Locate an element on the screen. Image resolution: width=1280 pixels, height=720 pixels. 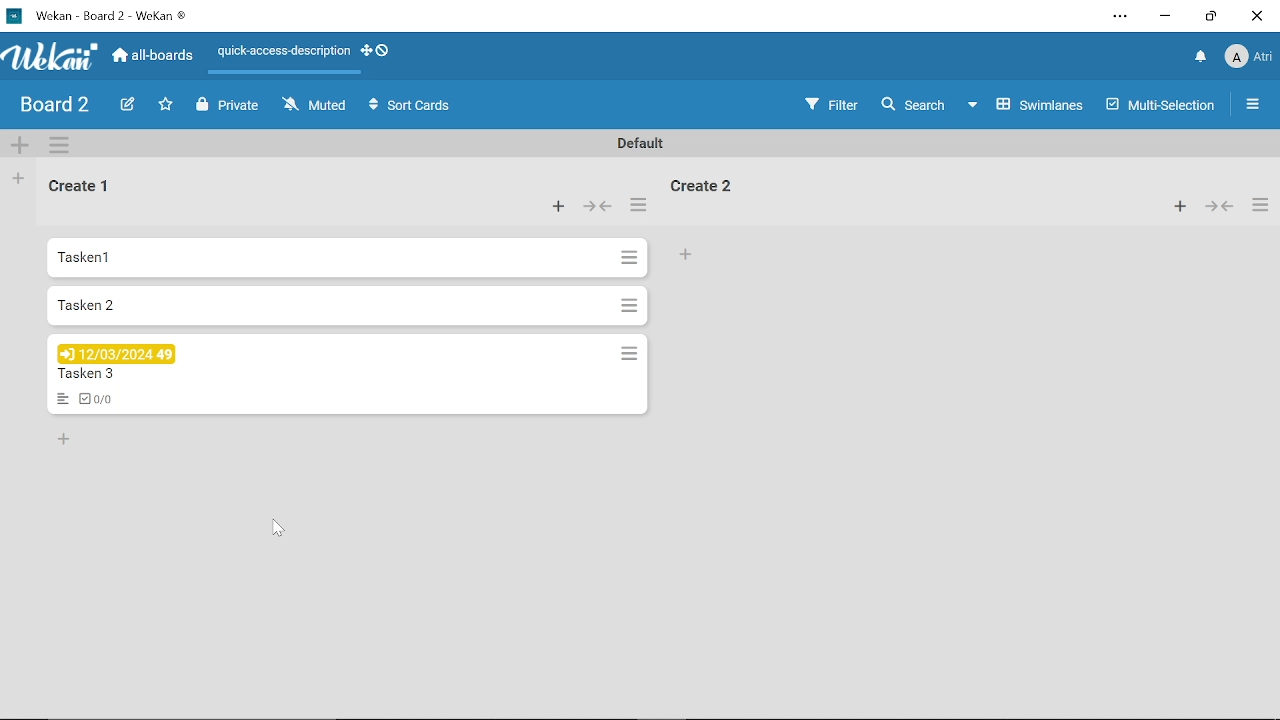
More is located at coordinates (1260, 205).